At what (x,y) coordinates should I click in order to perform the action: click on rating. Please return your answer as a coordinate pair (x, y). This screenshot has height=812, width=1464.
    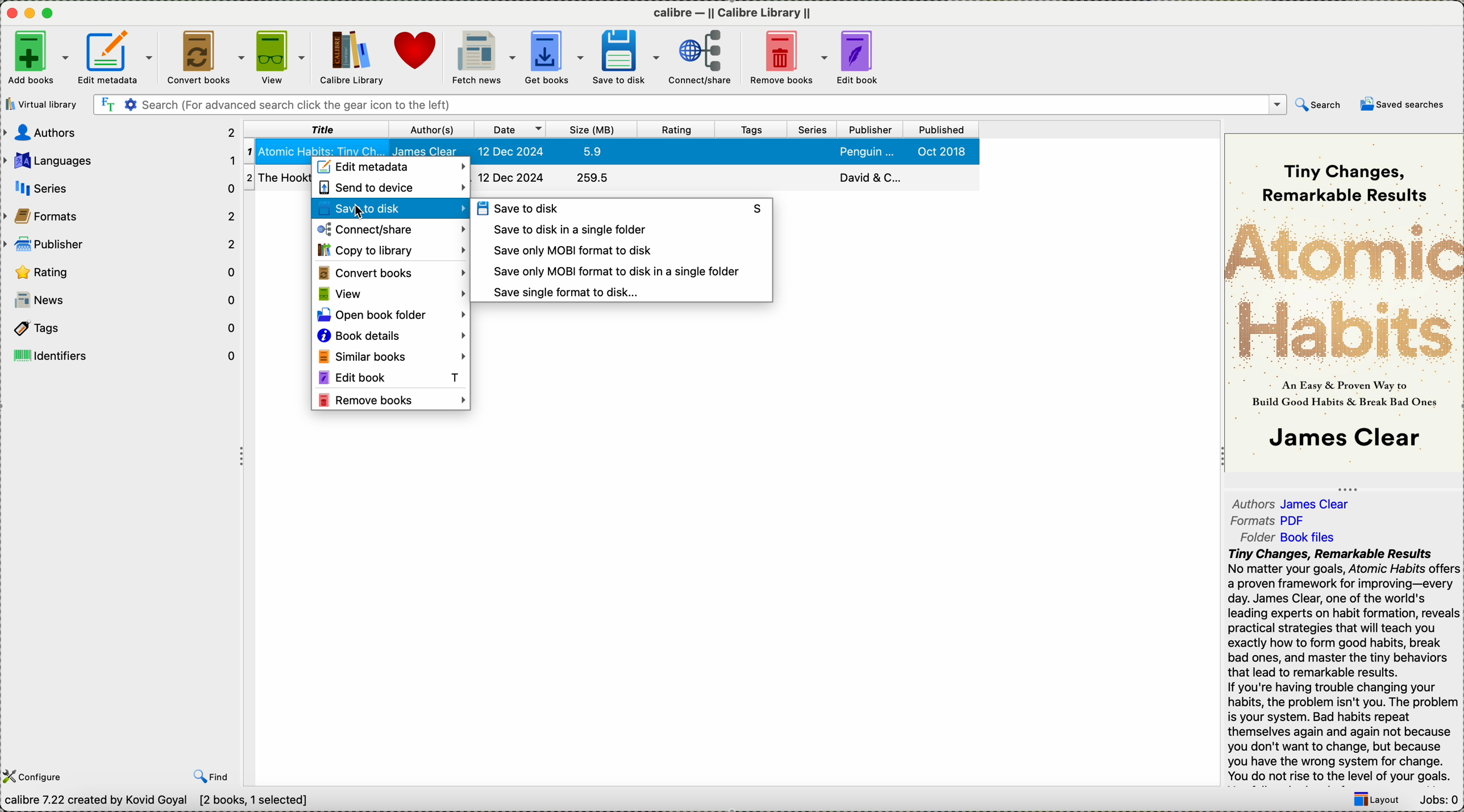
    Looking at the image, I should click on (118, 270).